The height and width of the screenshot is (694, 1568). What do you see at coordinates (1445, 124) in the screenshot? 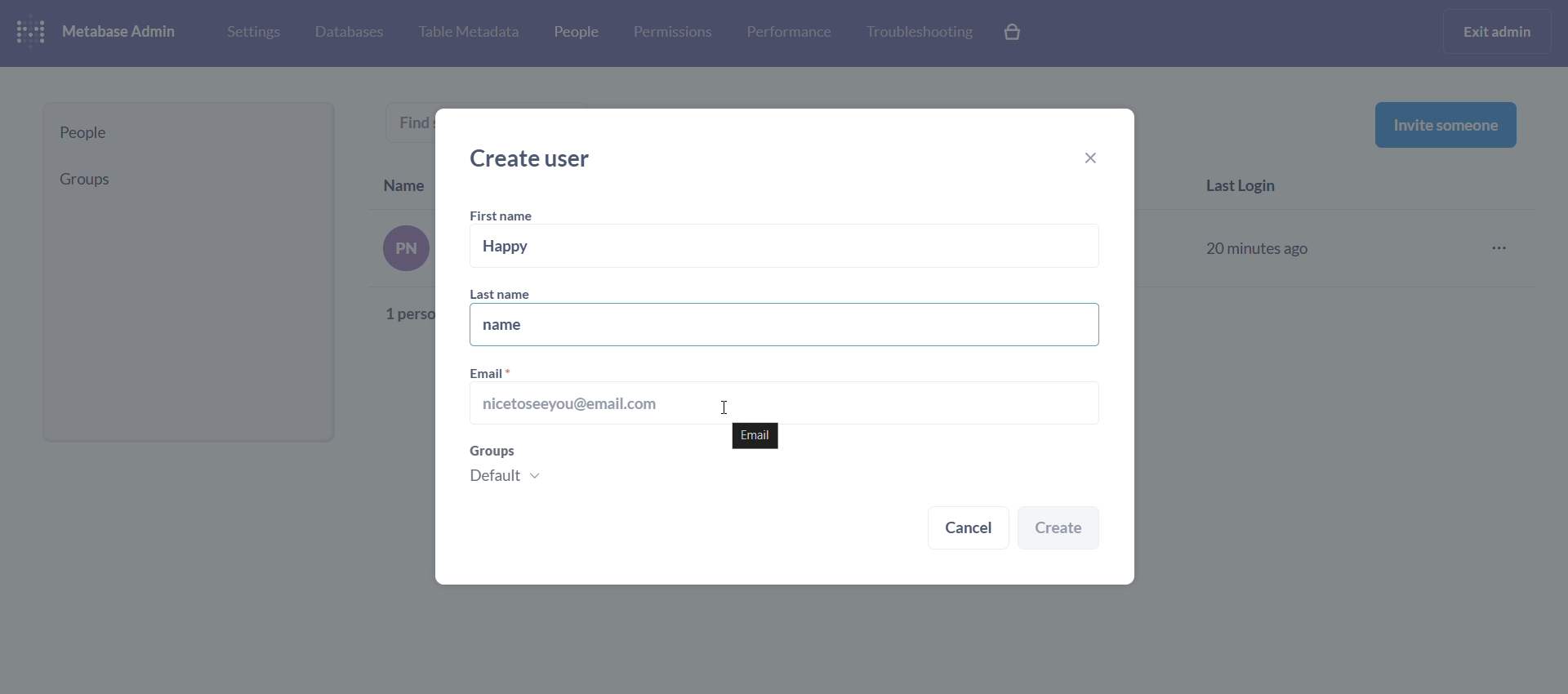
I see `invite someone` at bounding box center [1445, 124].